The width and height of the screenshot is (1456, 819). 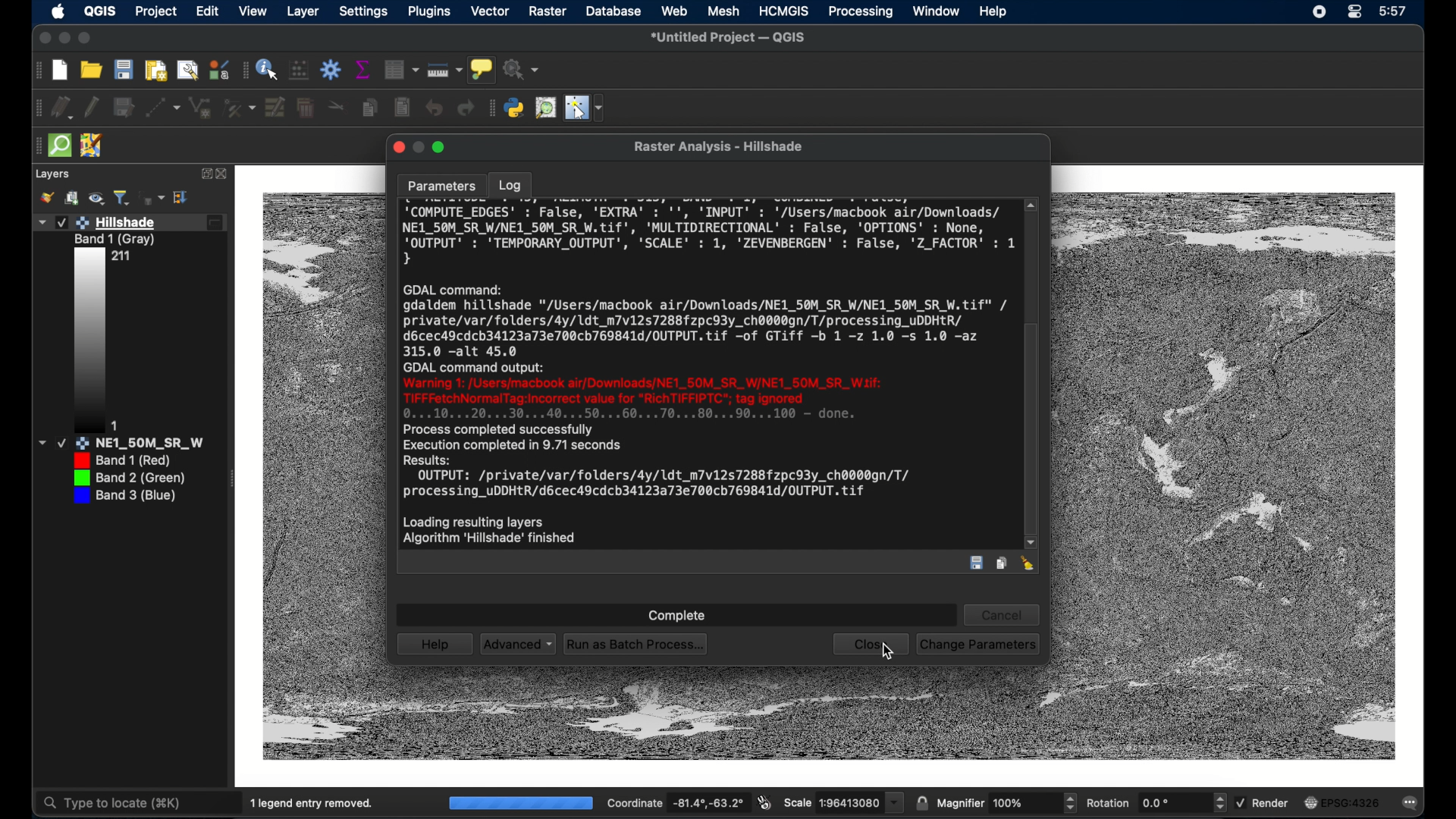 What do you see at coordinates (300, 71) in the screenshot?
I see `open field calculator` at bounding box center [300, 71].